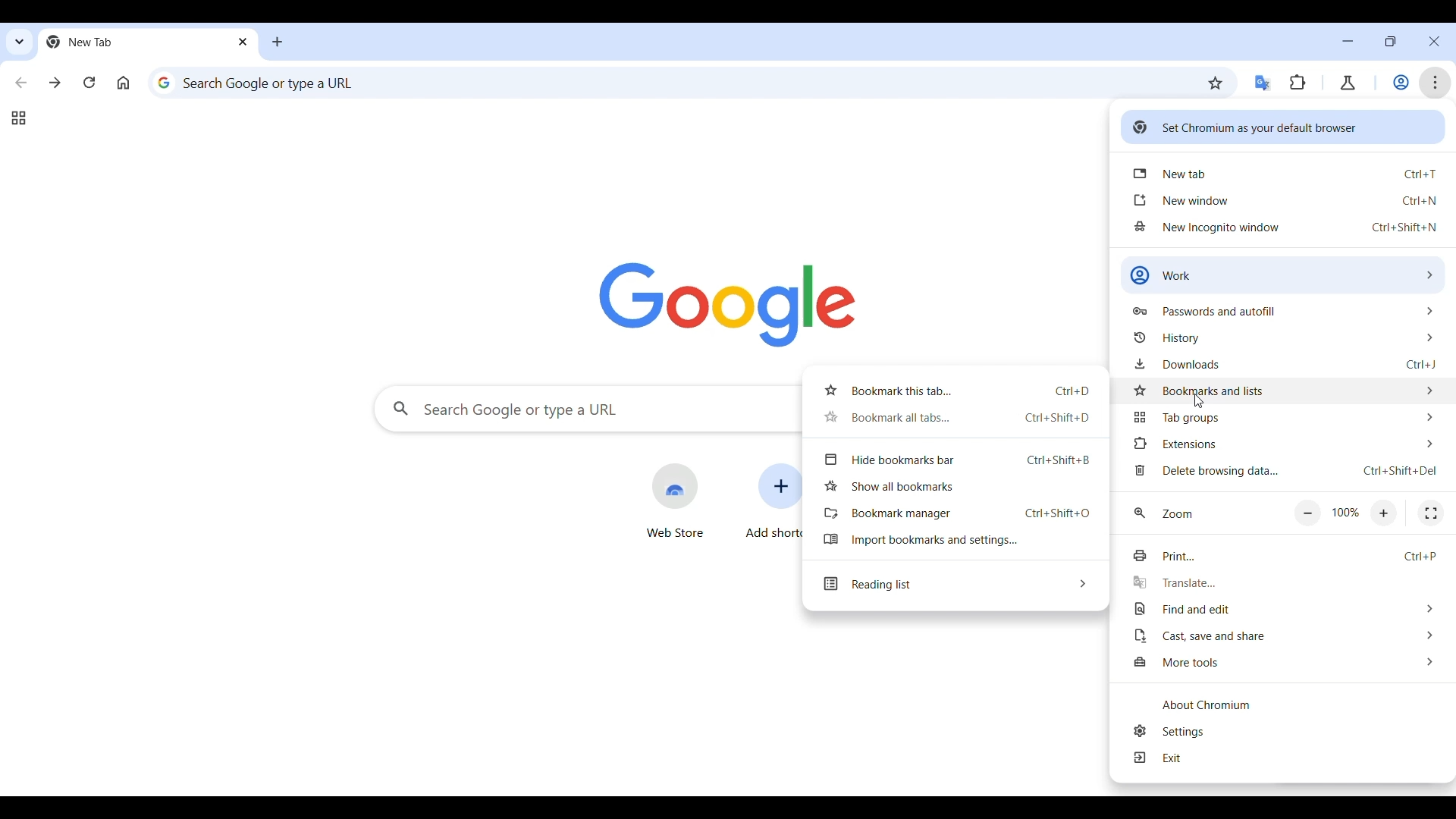  I want to click on Bookmark all tabs..., so click(953, 417).